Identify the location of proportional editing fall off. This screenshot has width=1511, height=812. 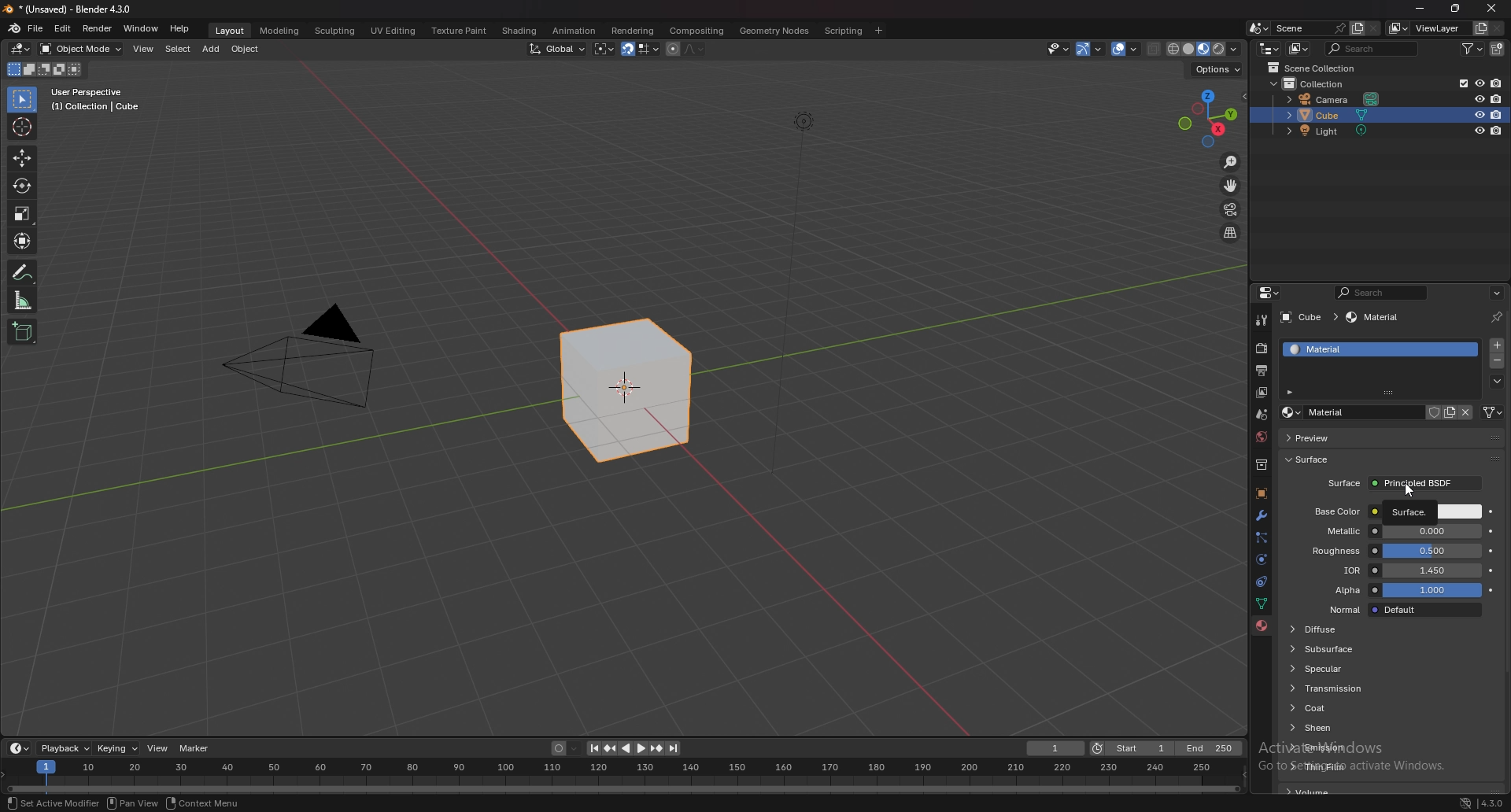
(691, 48).